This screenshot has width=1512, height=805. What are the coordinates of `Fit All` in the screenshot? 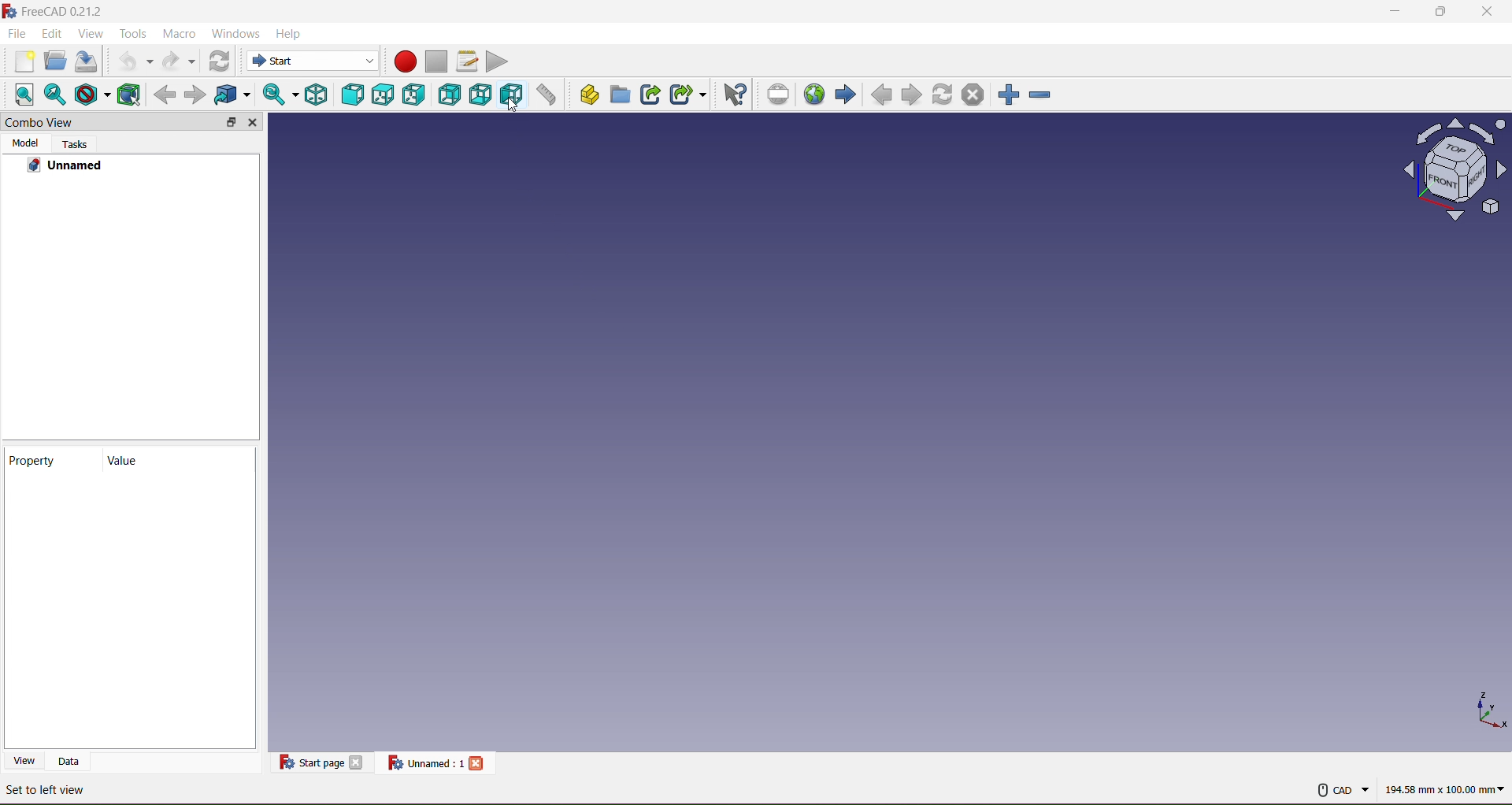 It's located at (54, 95).